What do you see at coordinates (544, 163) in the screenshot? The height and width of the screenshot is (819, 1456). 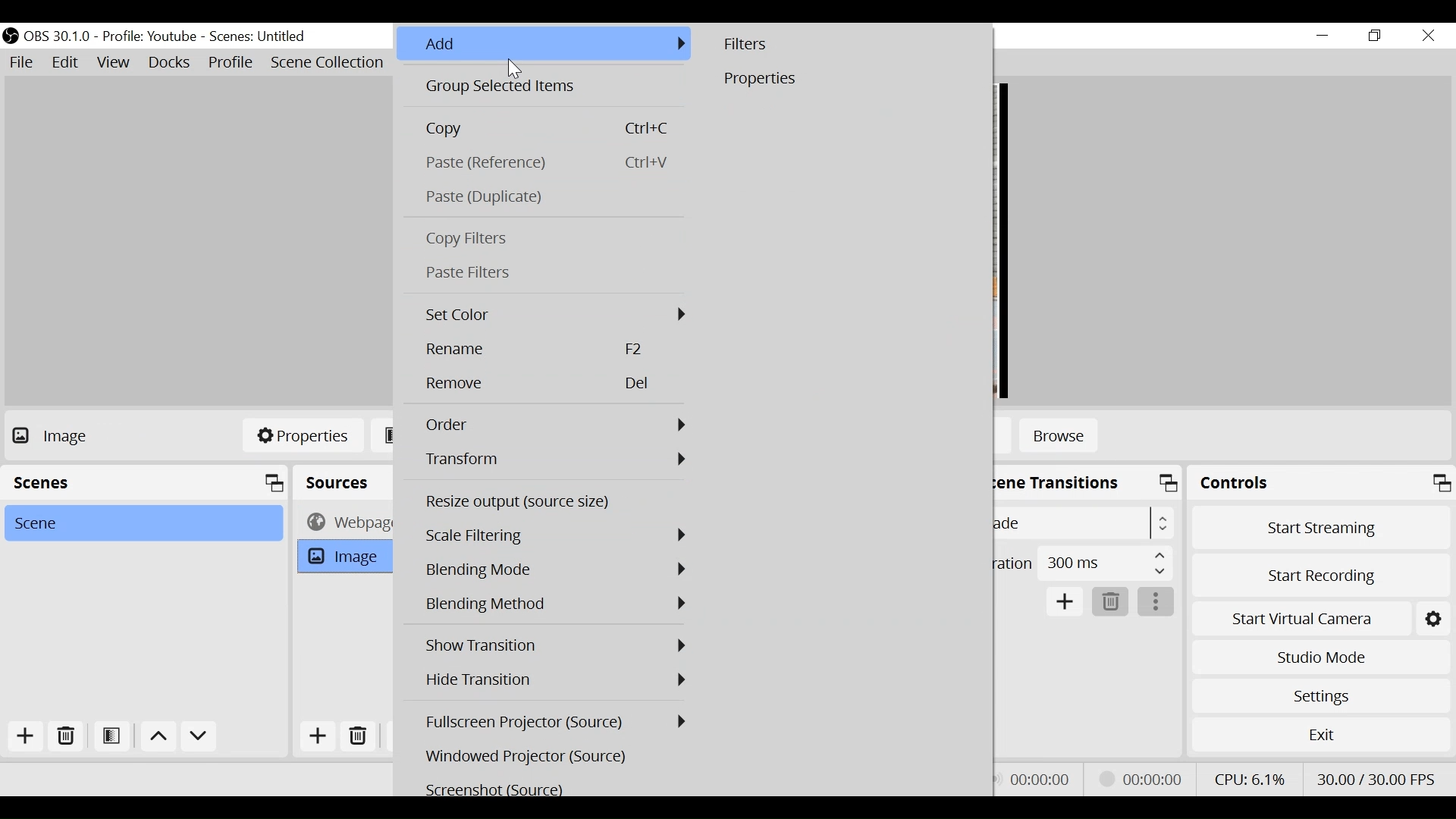 I see `Paste (Reference)` at bounding box center [544, 163].